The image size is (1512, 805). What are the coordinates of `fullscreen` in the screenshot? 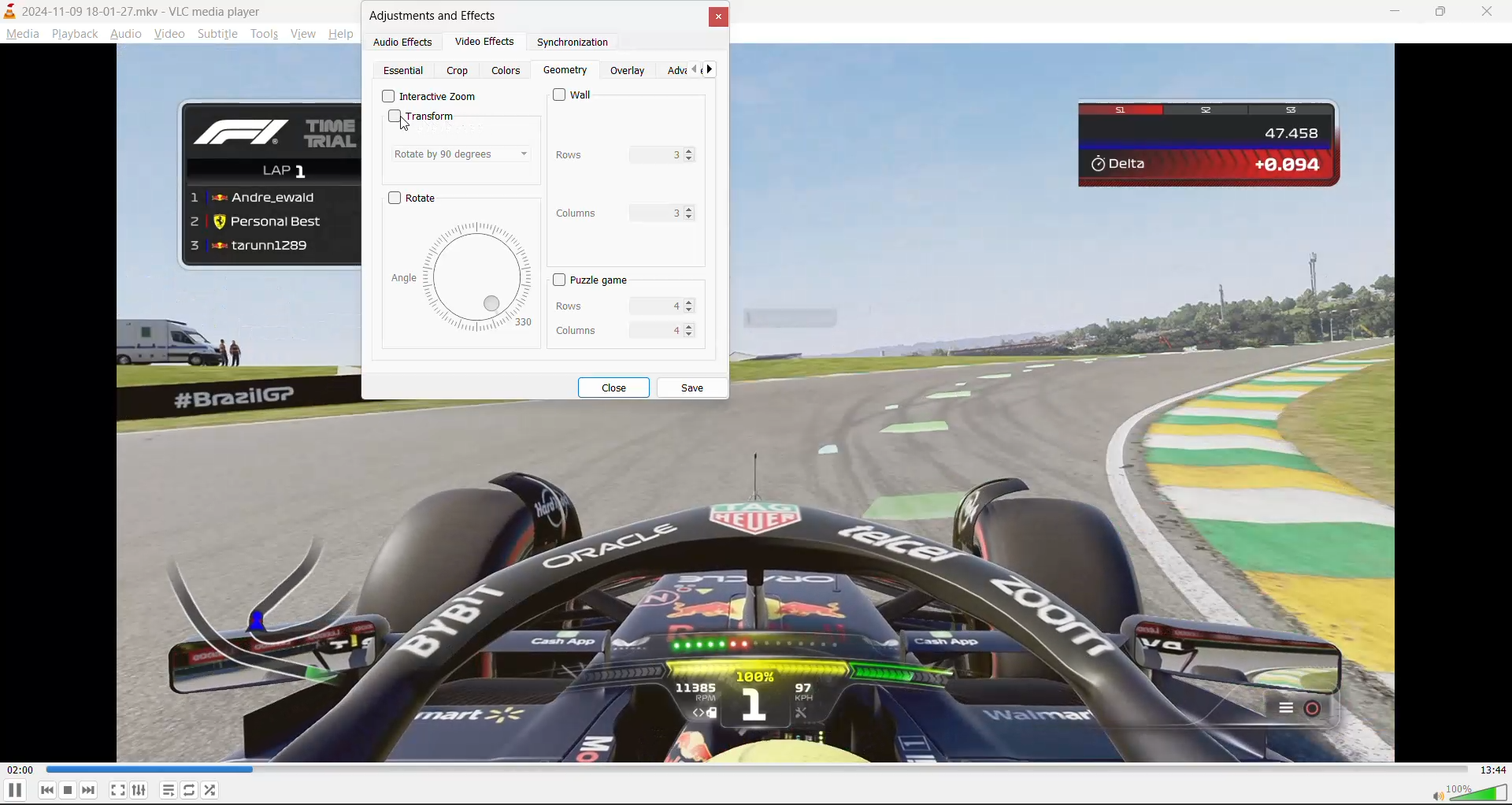 It's located at (118, 790).